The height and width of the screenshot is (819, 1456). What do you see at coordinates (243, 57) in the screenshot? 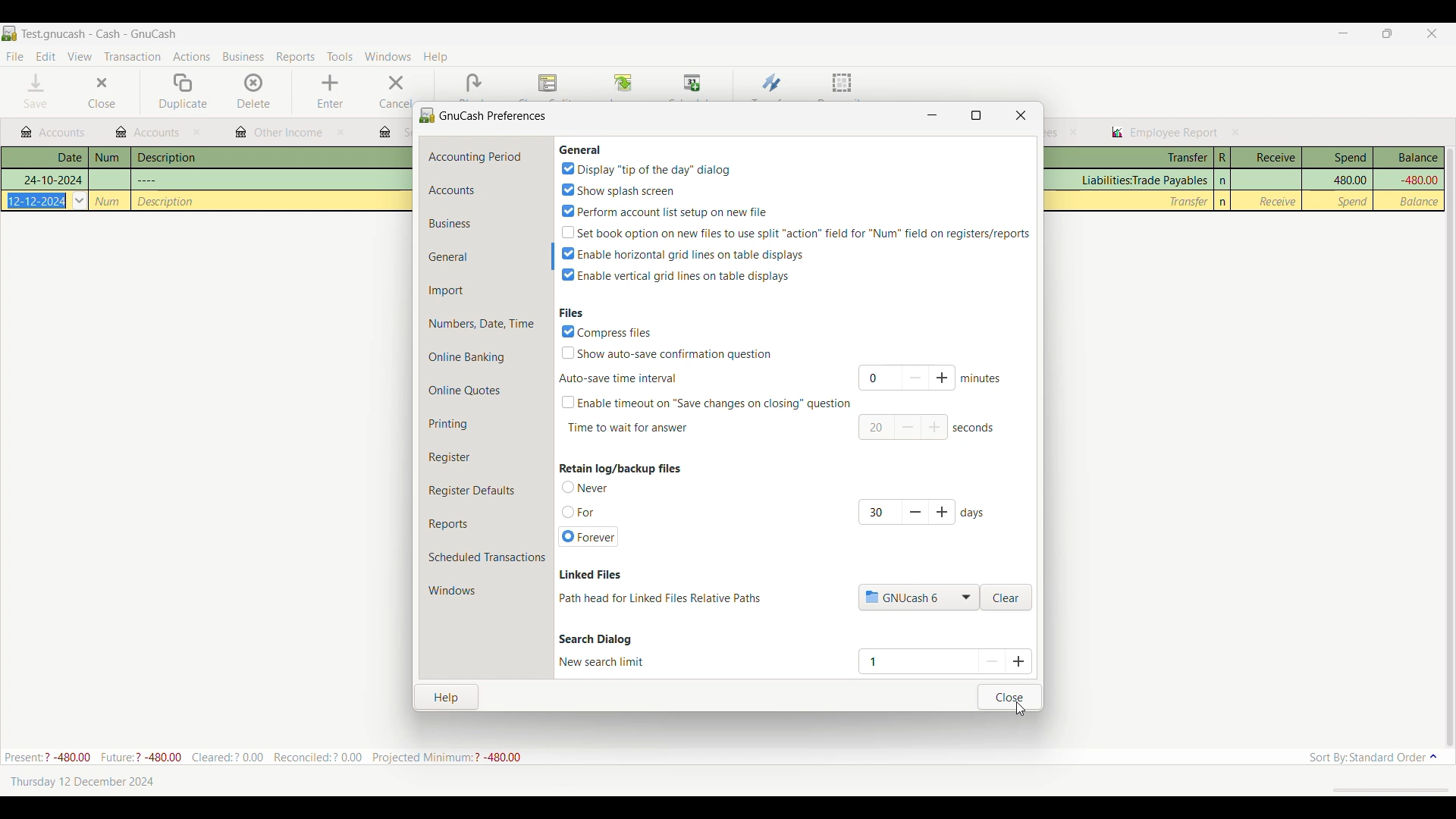
I see `Business menu` at bounding box center [243, 57].